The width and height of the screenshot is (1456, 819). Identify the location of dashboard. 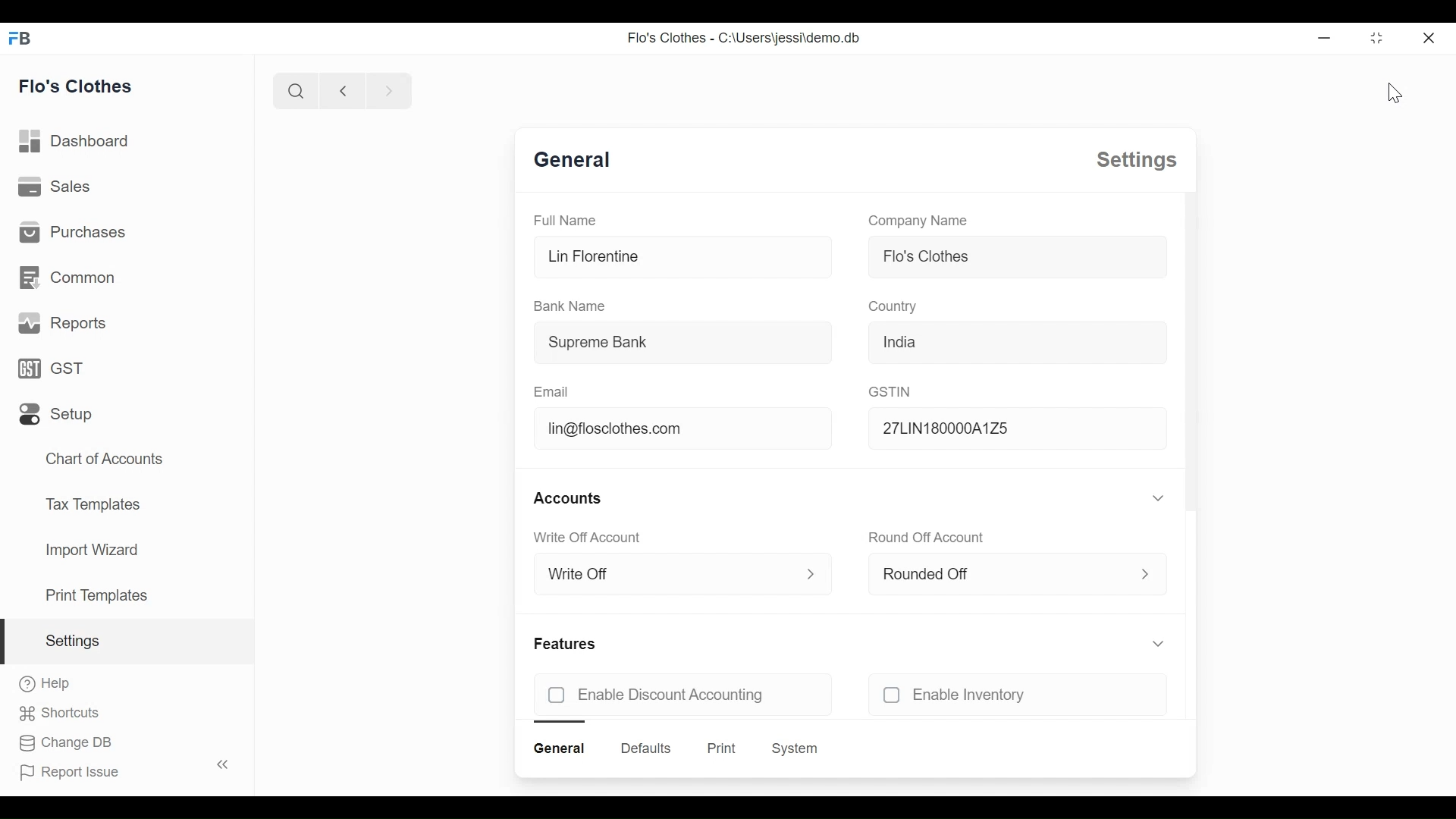
(75, 141).